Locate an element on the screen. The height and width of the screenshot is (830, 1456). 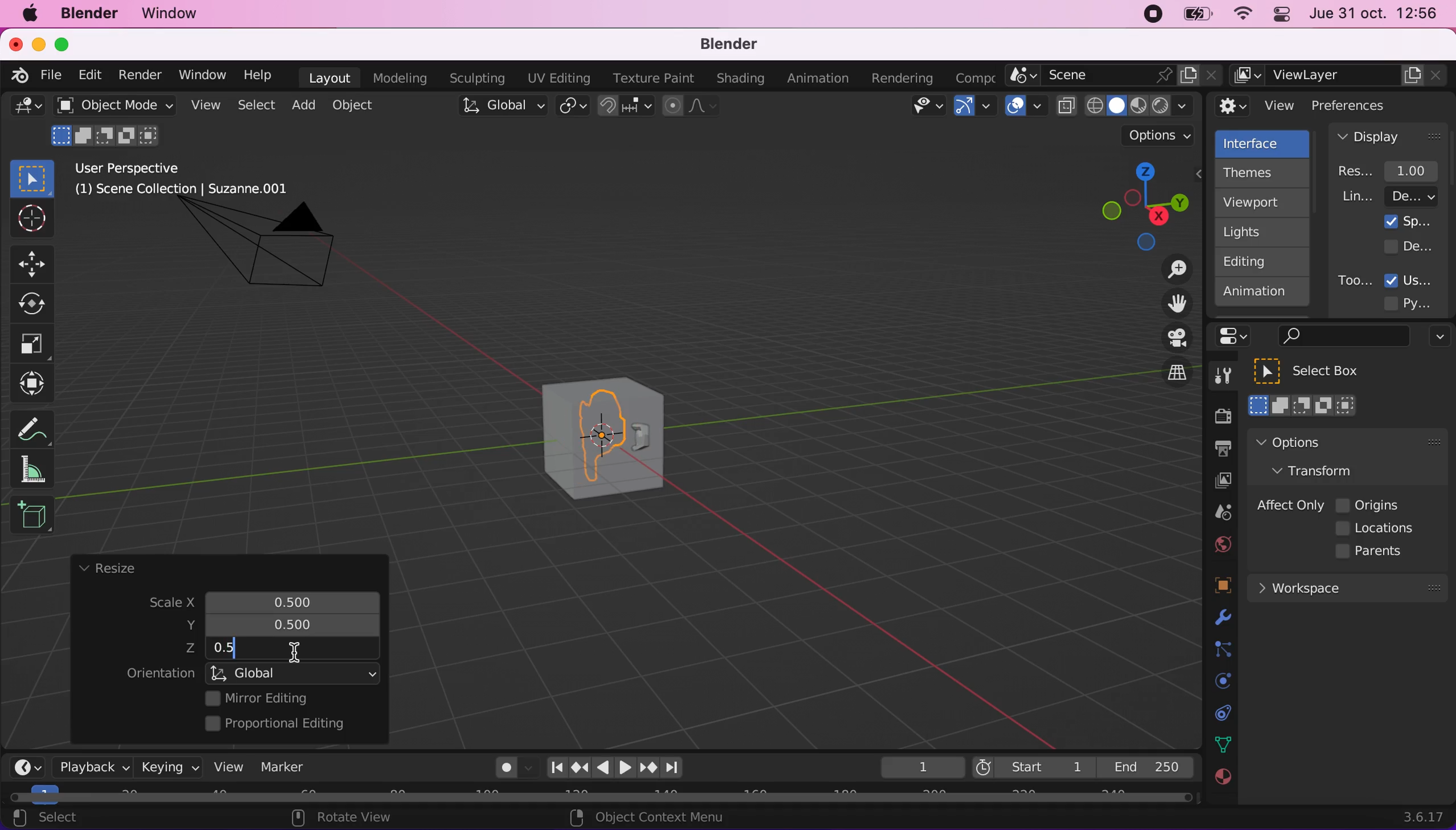
annotate is located at coordinates (37, 426).